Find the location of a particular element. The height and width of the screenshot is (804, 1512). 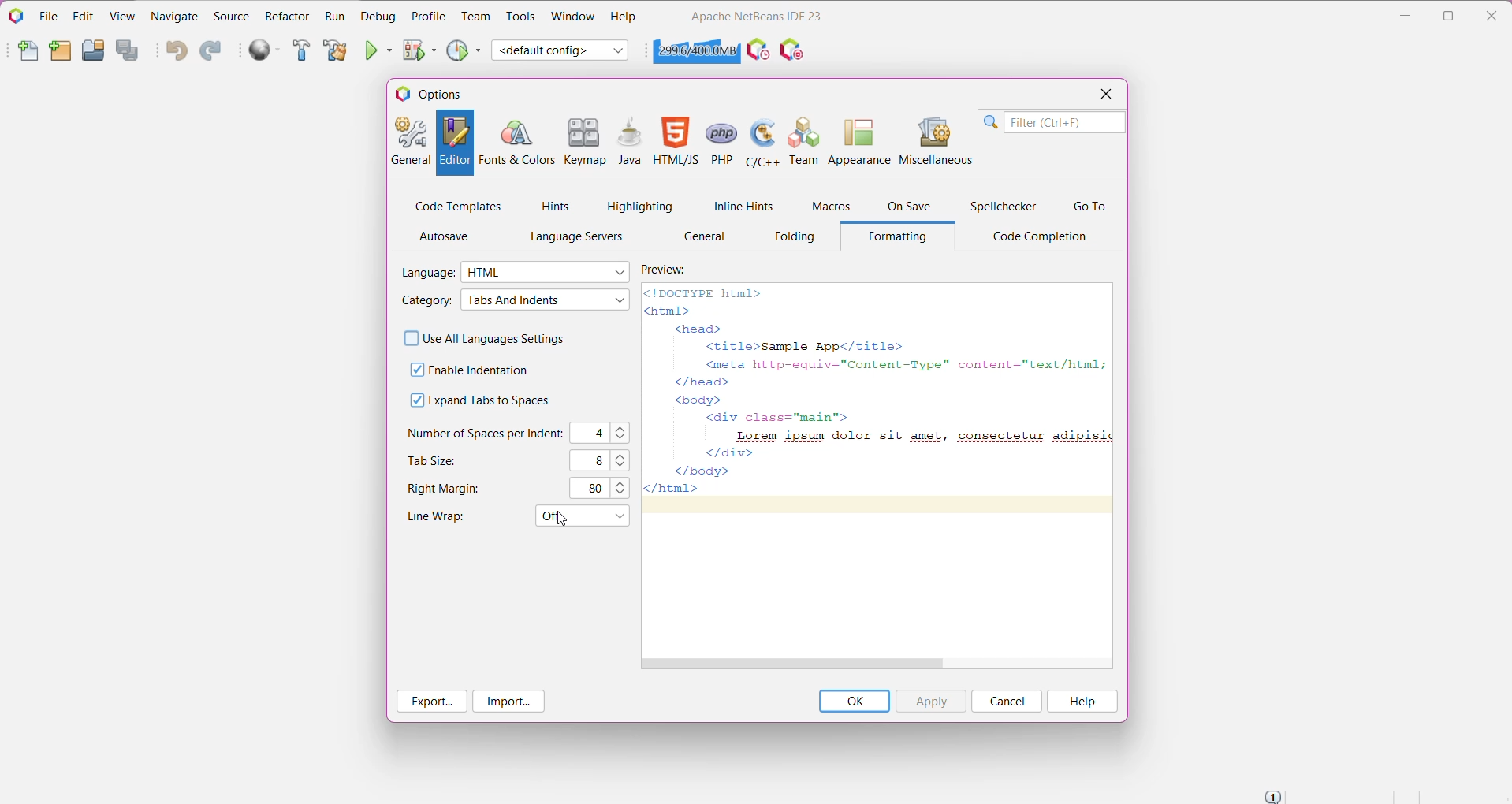

Run All is located at coordinates (266, 50).